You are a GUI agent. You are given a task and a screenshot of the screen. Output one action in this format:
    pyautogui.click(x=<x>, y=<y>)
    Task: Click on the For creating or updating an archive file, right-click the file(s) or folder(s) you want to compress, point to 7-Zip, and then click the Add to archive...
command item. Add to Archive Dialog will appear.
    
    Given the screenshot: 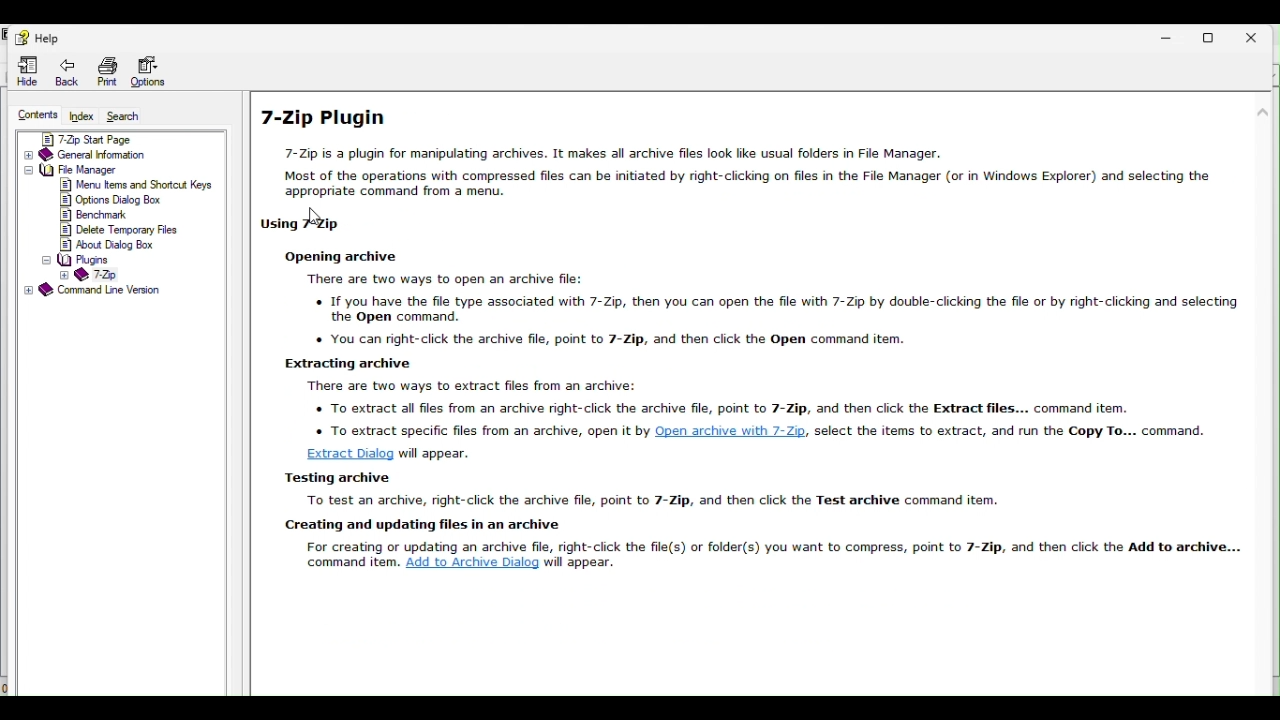 What is the action you would take?
    pyautogui.click(x=768, y=548)
    